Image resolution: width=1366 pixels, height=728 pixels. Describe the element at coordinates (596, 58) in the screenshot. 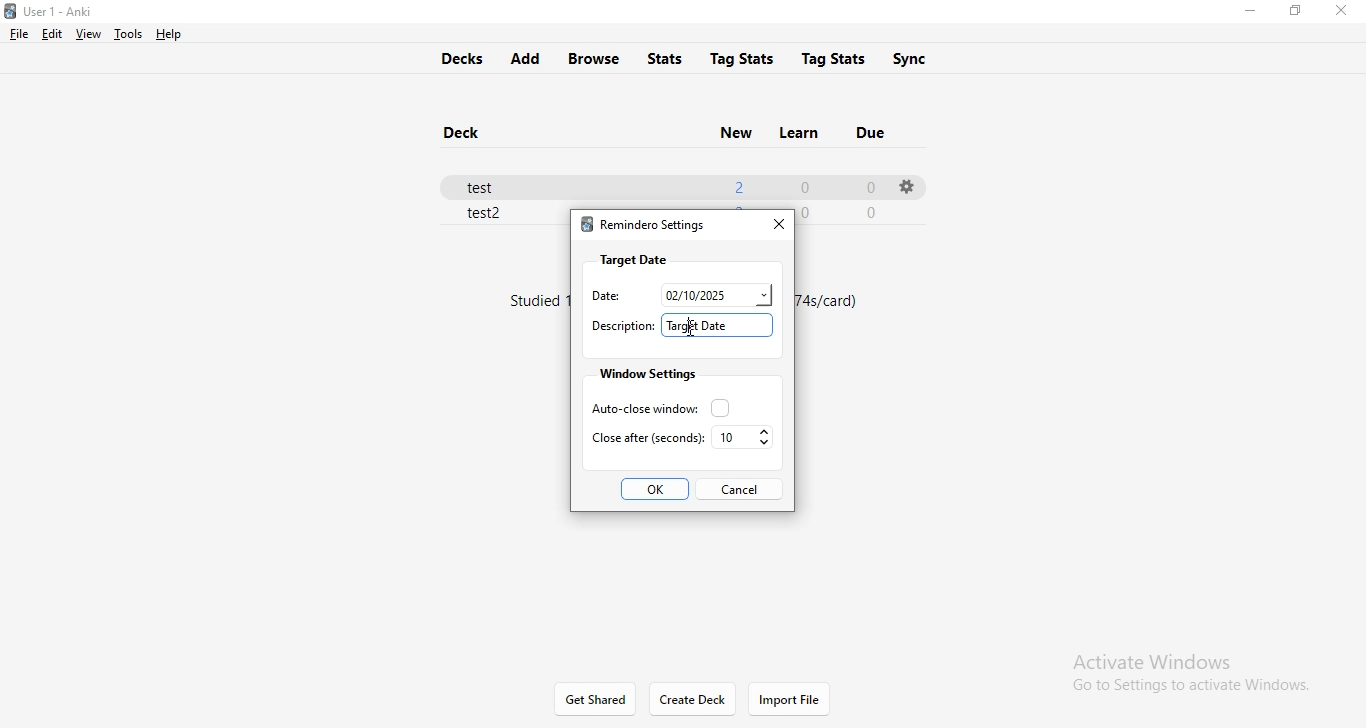

I see `browse` at that location.